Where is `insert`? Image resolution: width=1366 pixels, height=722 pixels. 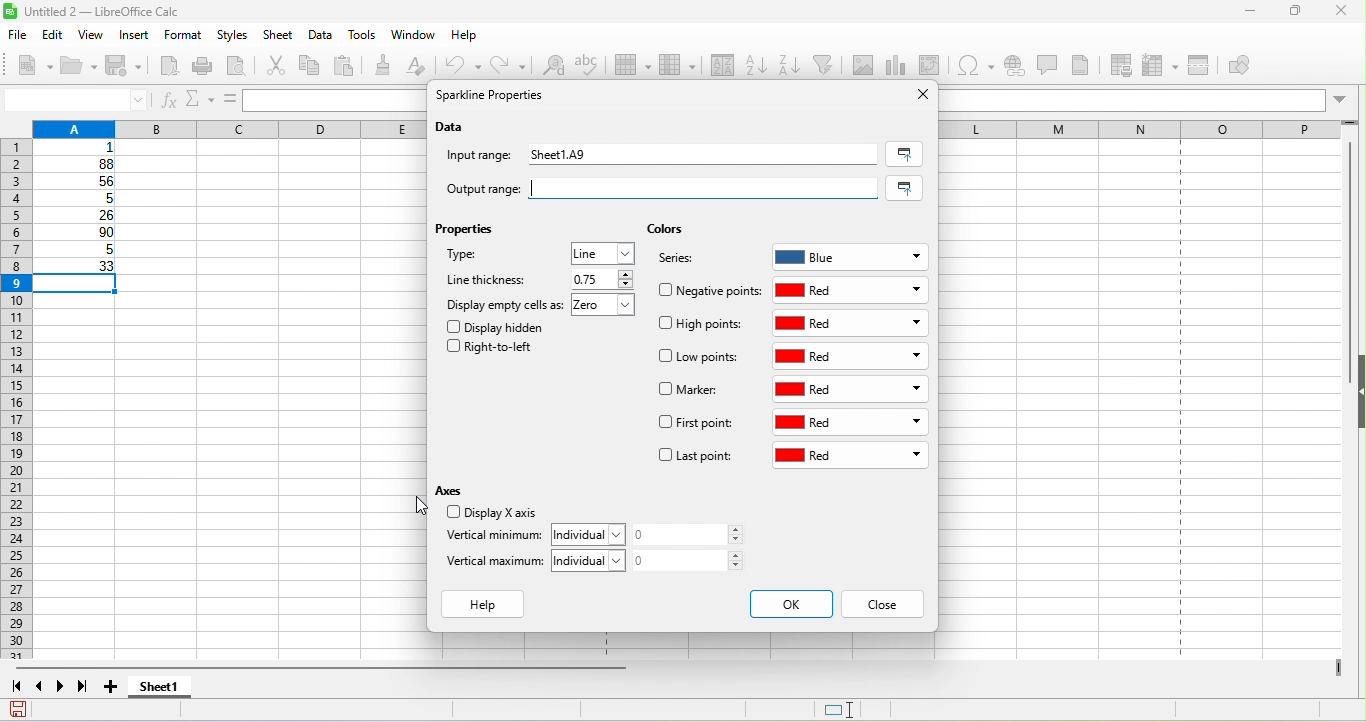 insert is located at coordinates (136, 36).